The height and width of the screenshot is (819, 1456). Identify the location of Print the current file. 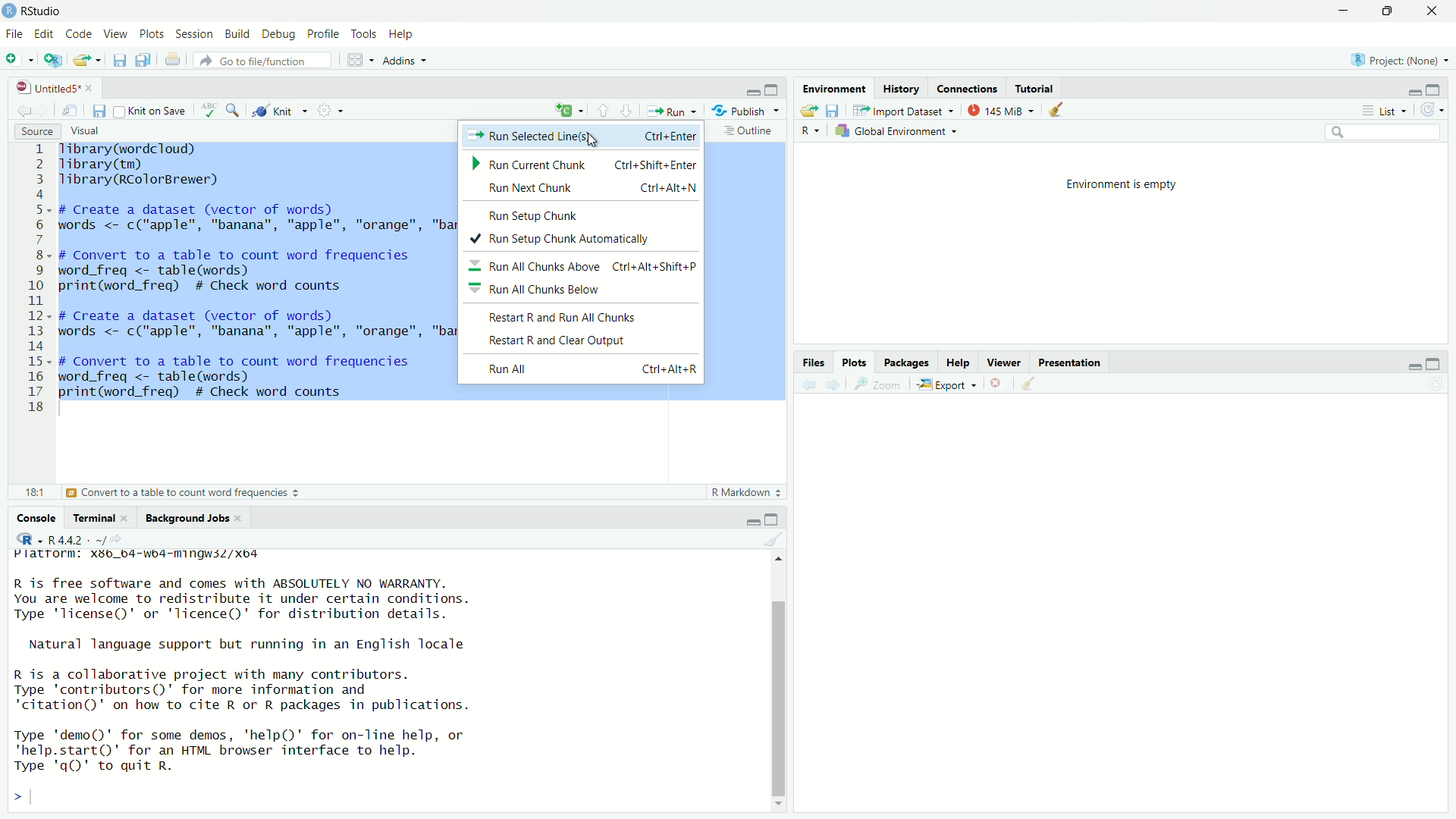
(171, 59).